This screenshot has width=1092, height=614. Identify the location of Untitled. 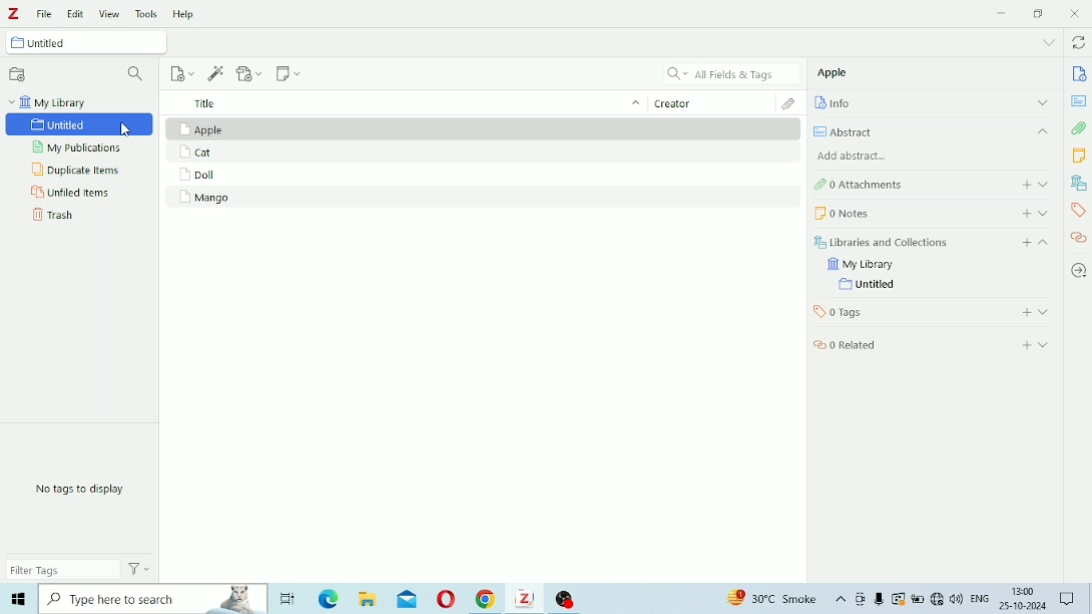
(85, 42).